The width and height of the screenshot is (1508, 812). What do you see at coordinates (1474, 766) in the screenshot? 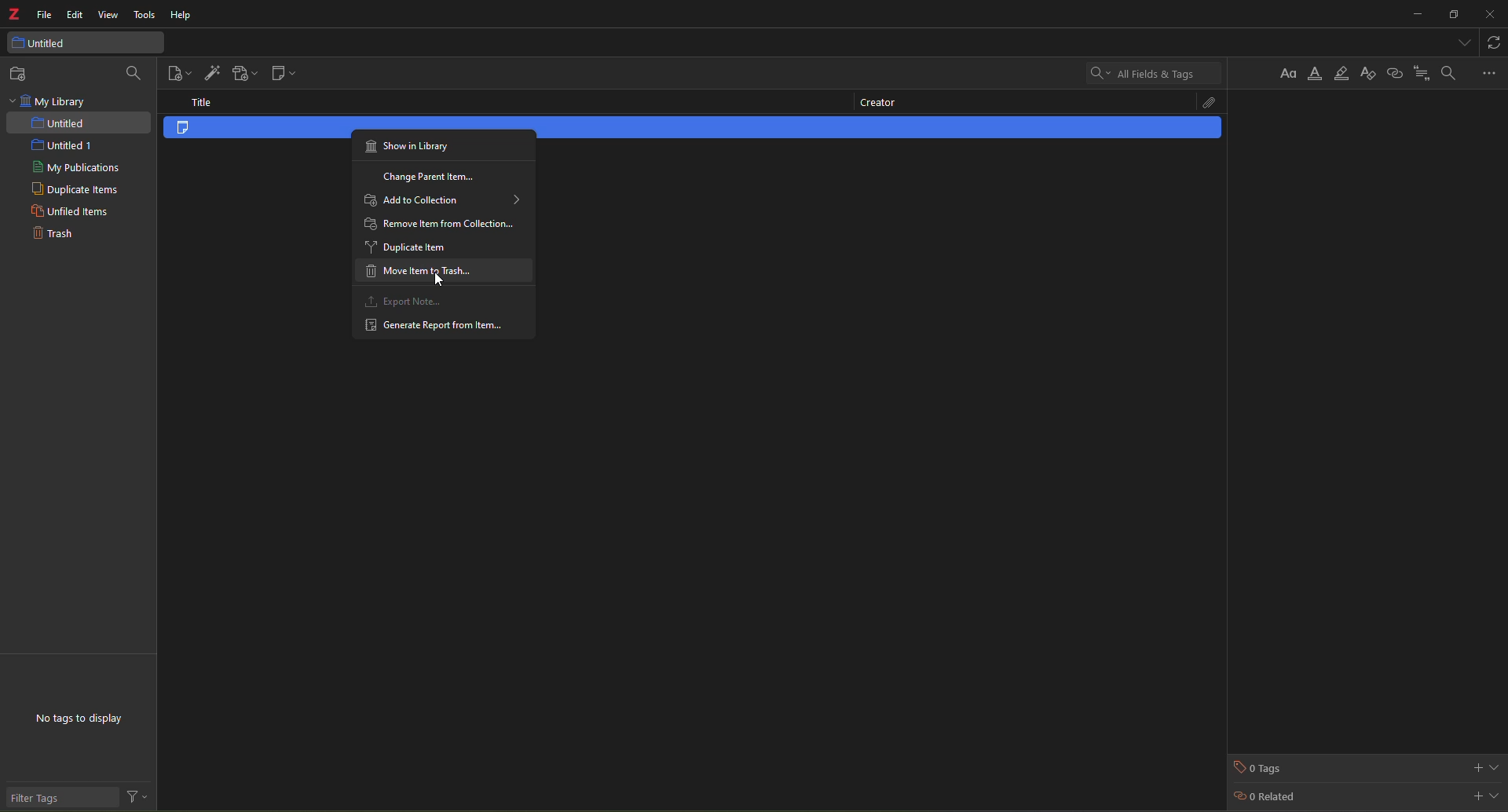
I see `add` at bounding box center [1474, 766].